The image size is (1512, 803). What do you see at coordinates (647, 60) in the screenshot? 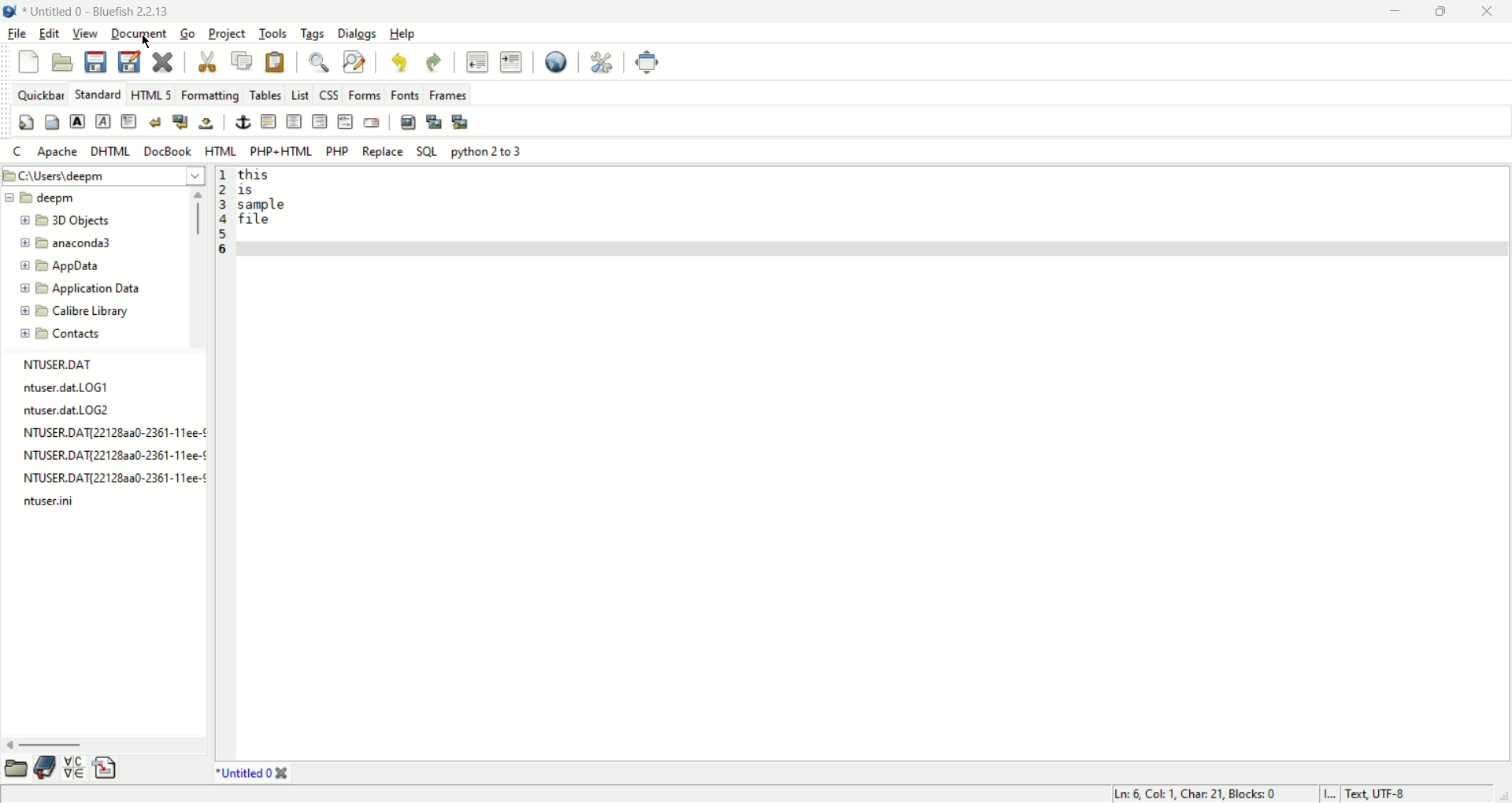
I see `fullscreen` at bounding box center [647, 60].